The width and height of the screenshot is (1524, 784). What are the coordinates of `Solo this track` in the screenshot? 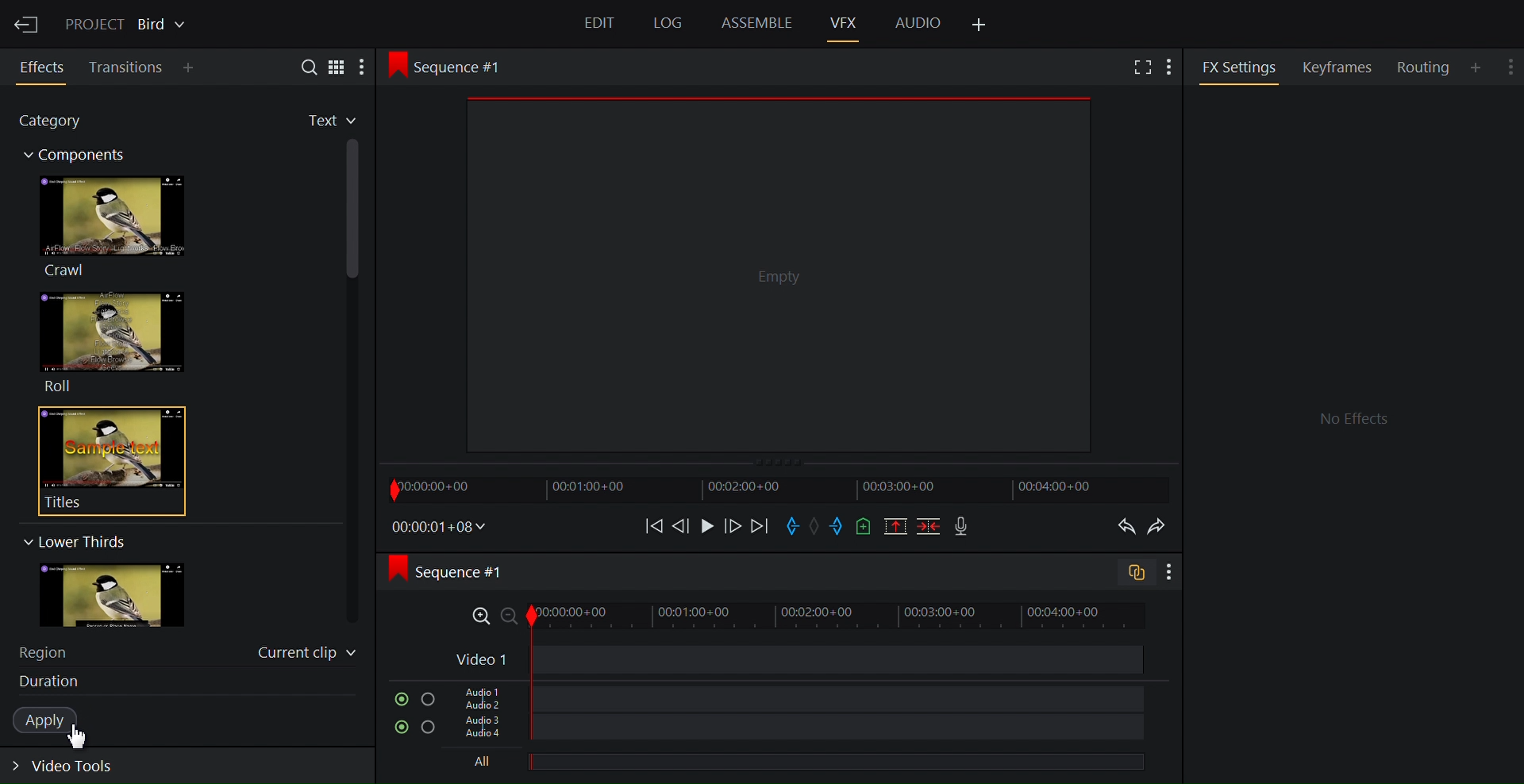 It's located at (429, 729).